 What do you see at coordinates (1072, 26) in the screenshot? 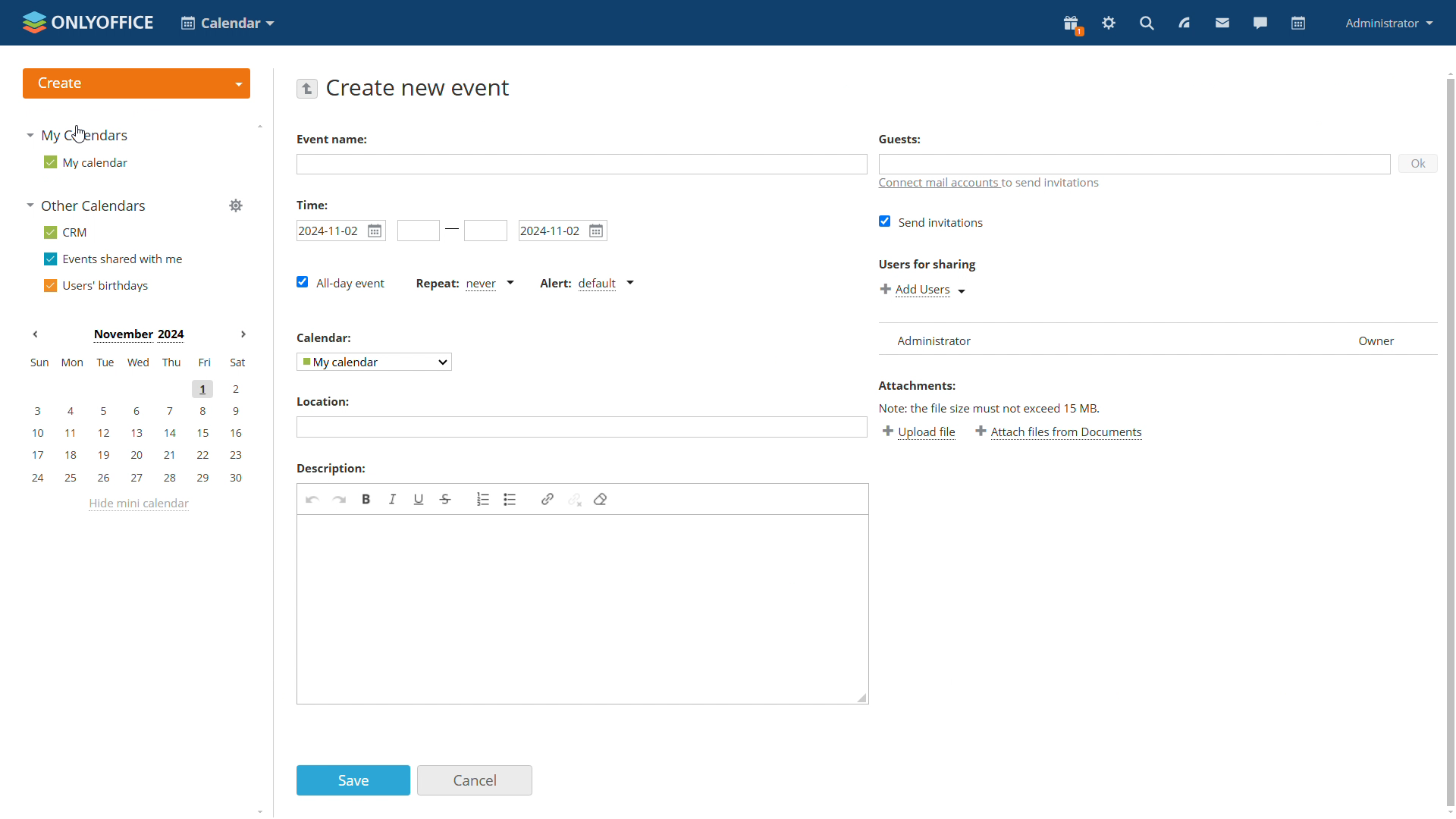
I see `present` at bounding box center [1072, 26].